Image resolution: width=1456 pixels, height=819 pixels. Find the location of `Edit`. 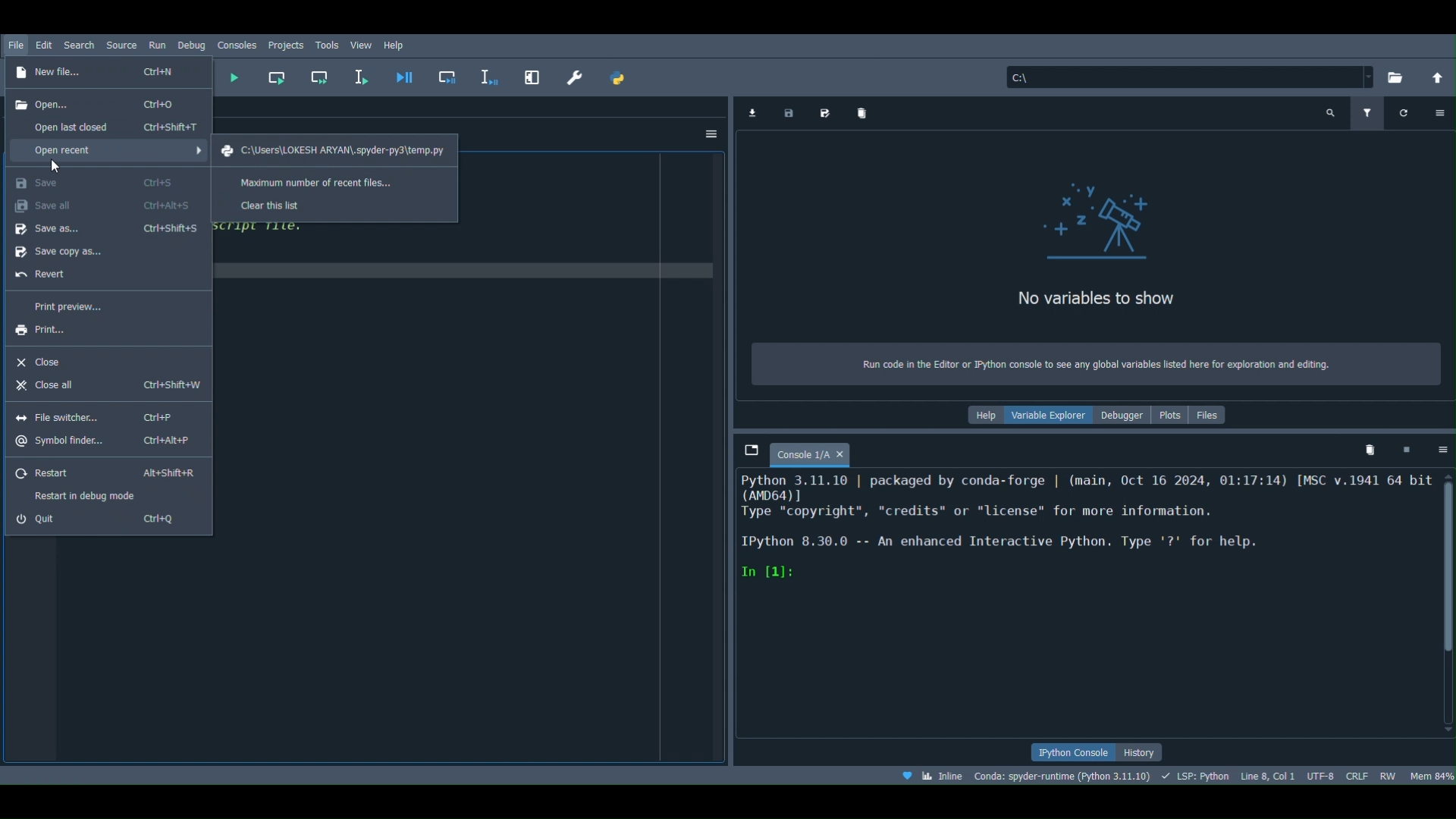

Edit is located at coordinates (45, 45).